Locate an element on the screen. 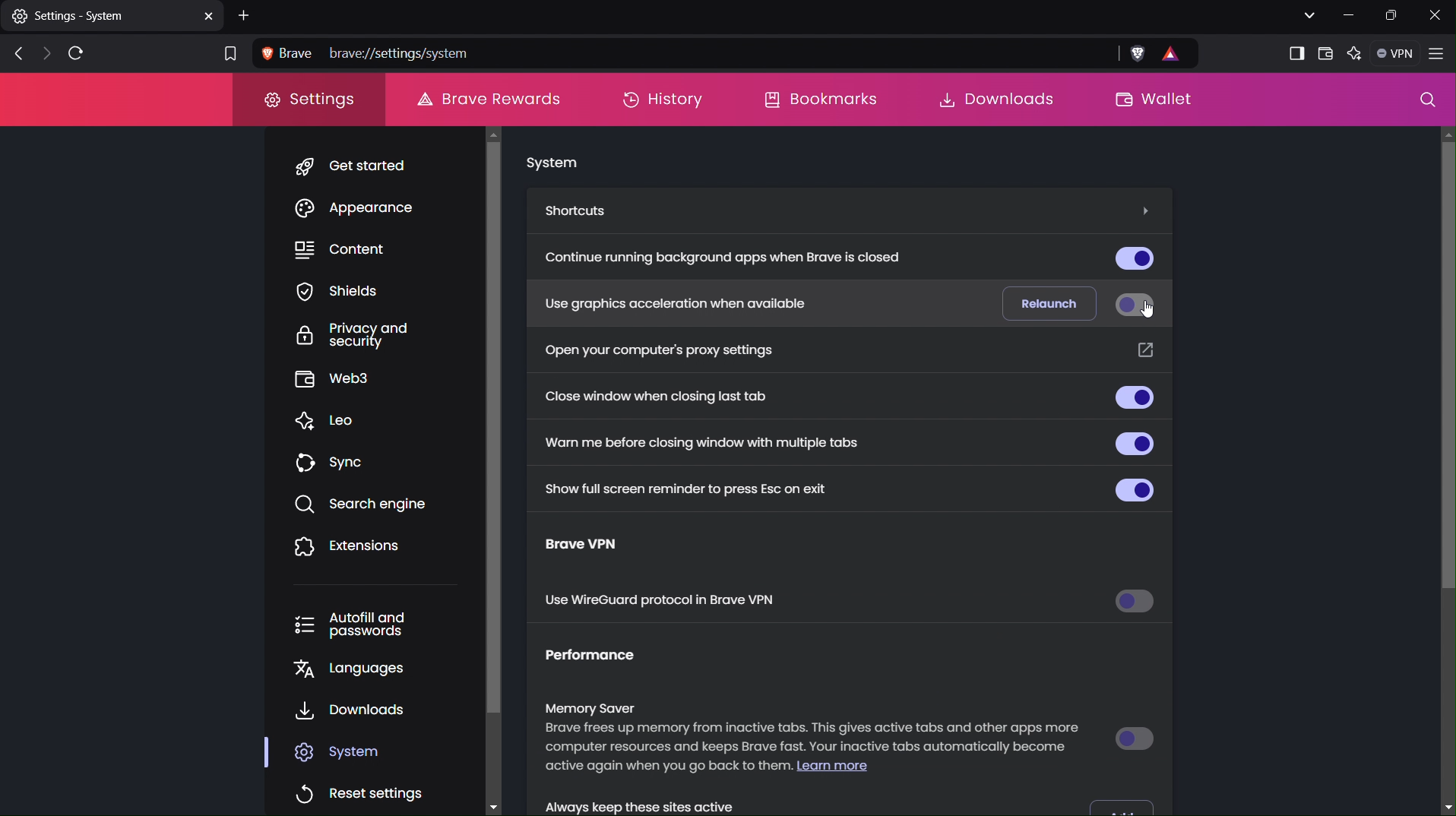  Button is located at coordinates (1138, 442).